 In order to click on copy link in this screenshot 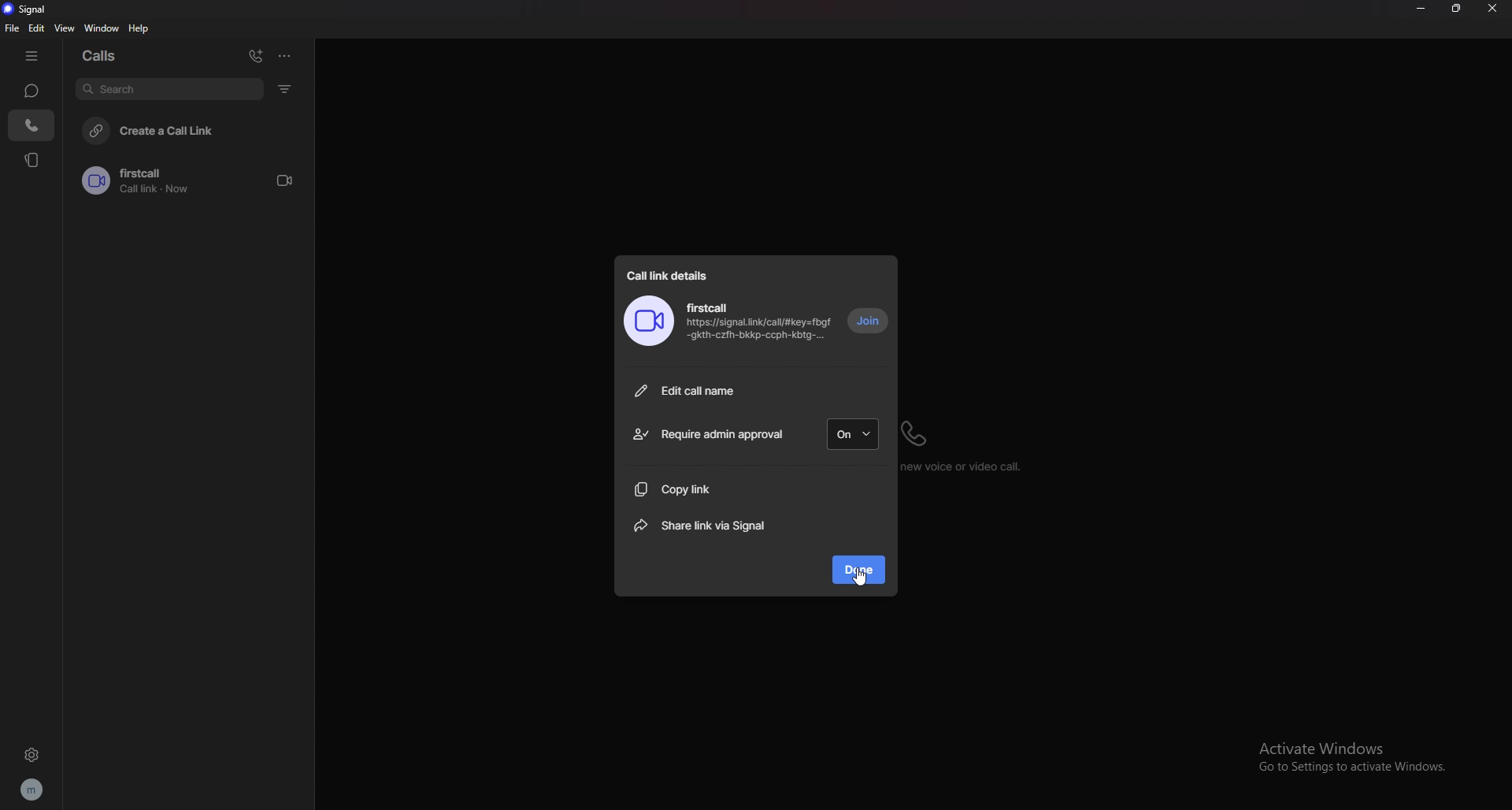, I will do `click(710, 489)`.